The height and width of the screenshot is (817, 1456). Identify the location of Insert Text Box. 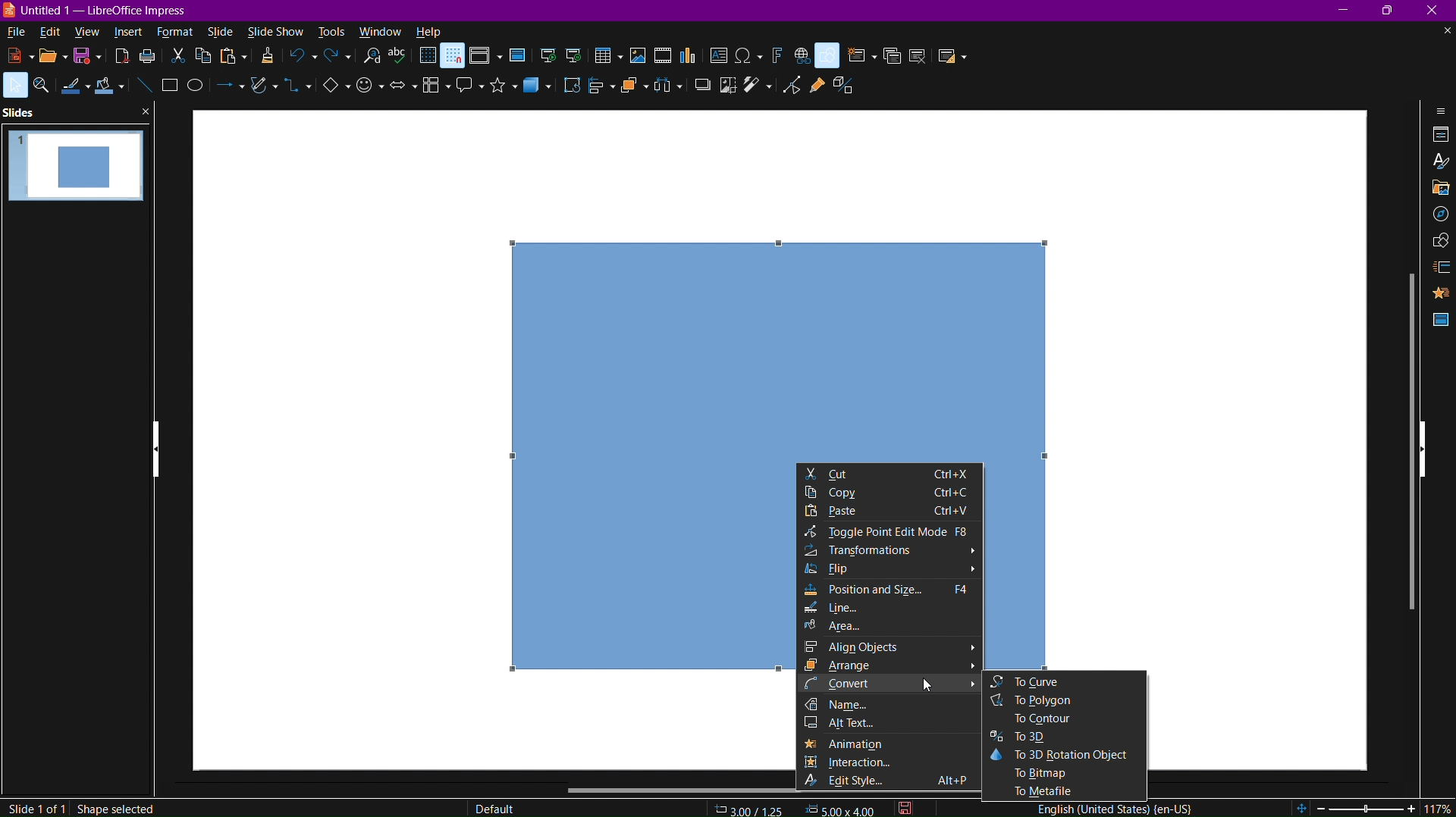
(721, 56).